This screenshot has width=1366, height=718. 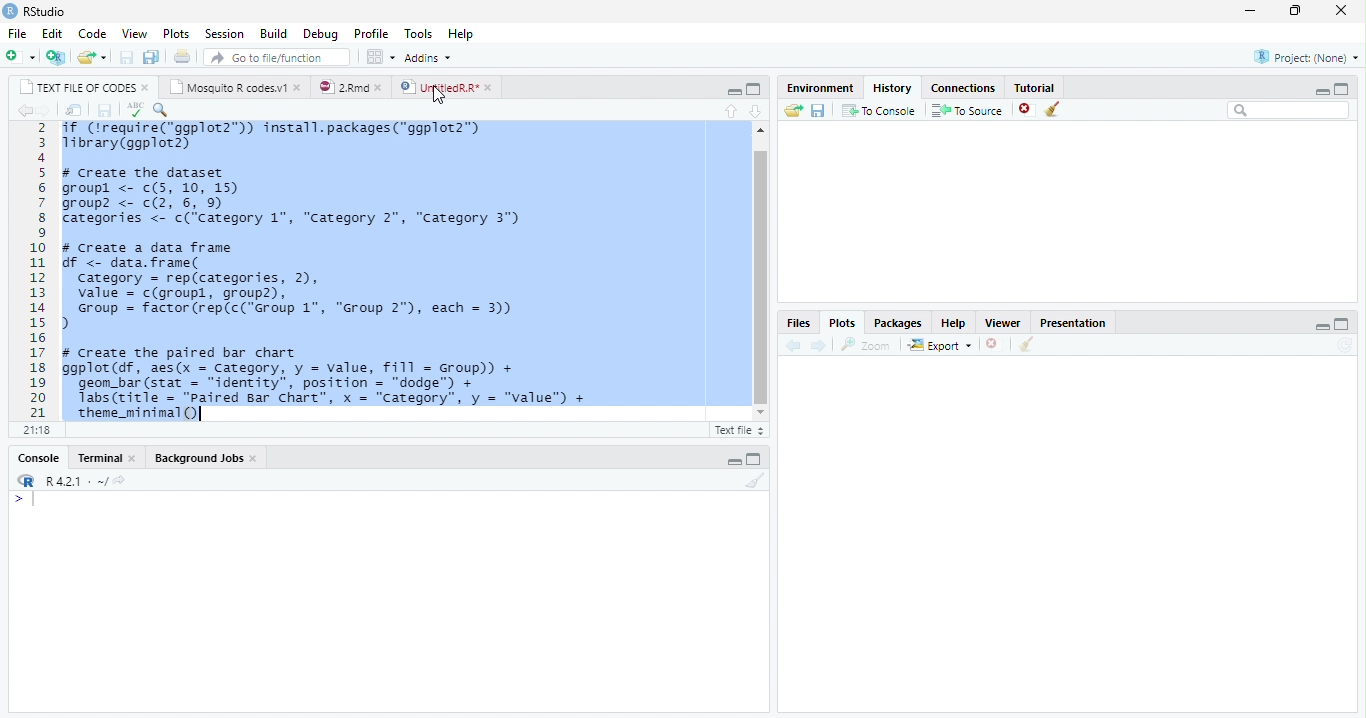 I want to click on save history , so click(x=817, y=110).